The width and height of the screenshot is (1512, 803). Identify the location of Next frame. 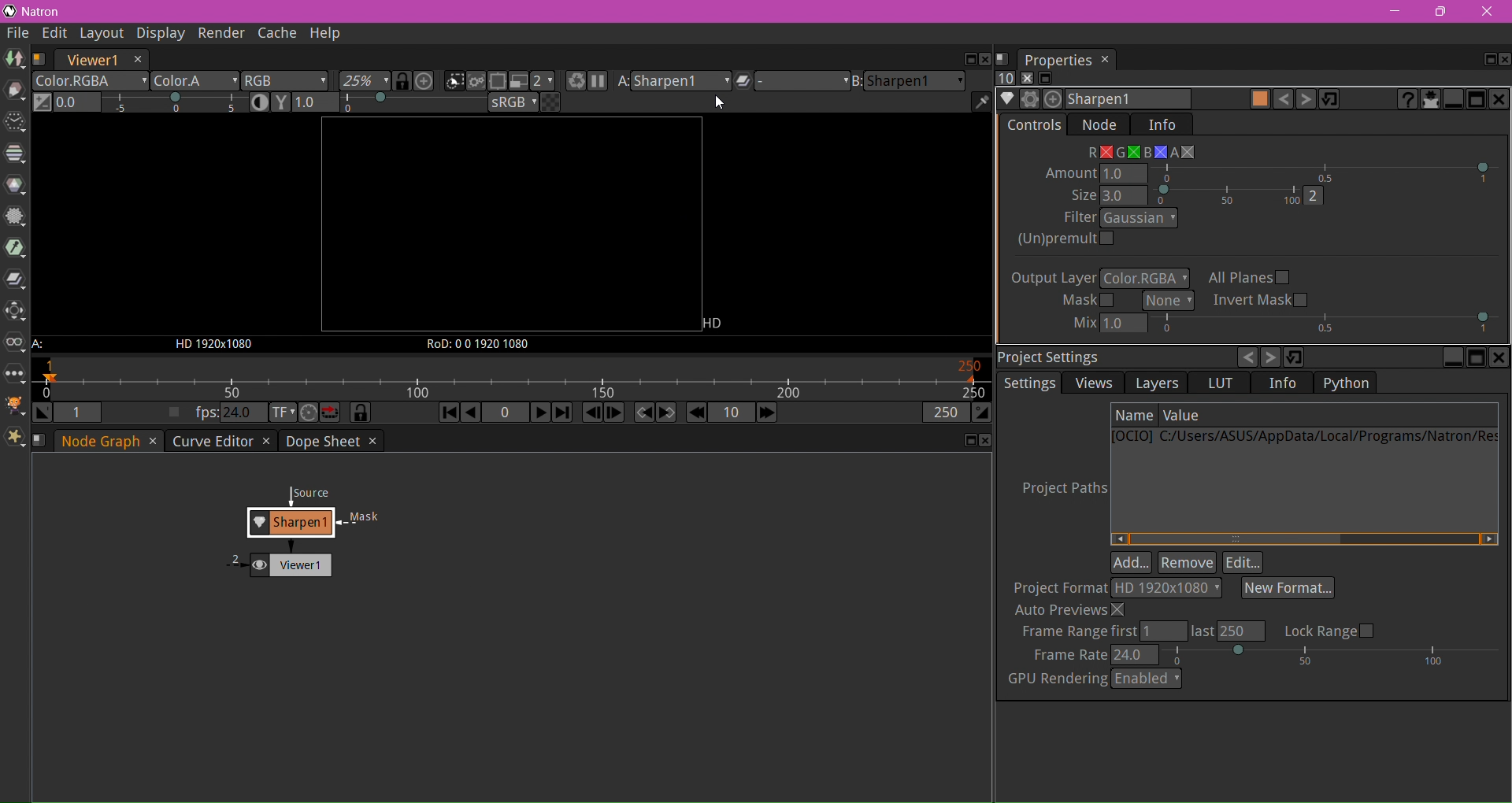
(613, 413).